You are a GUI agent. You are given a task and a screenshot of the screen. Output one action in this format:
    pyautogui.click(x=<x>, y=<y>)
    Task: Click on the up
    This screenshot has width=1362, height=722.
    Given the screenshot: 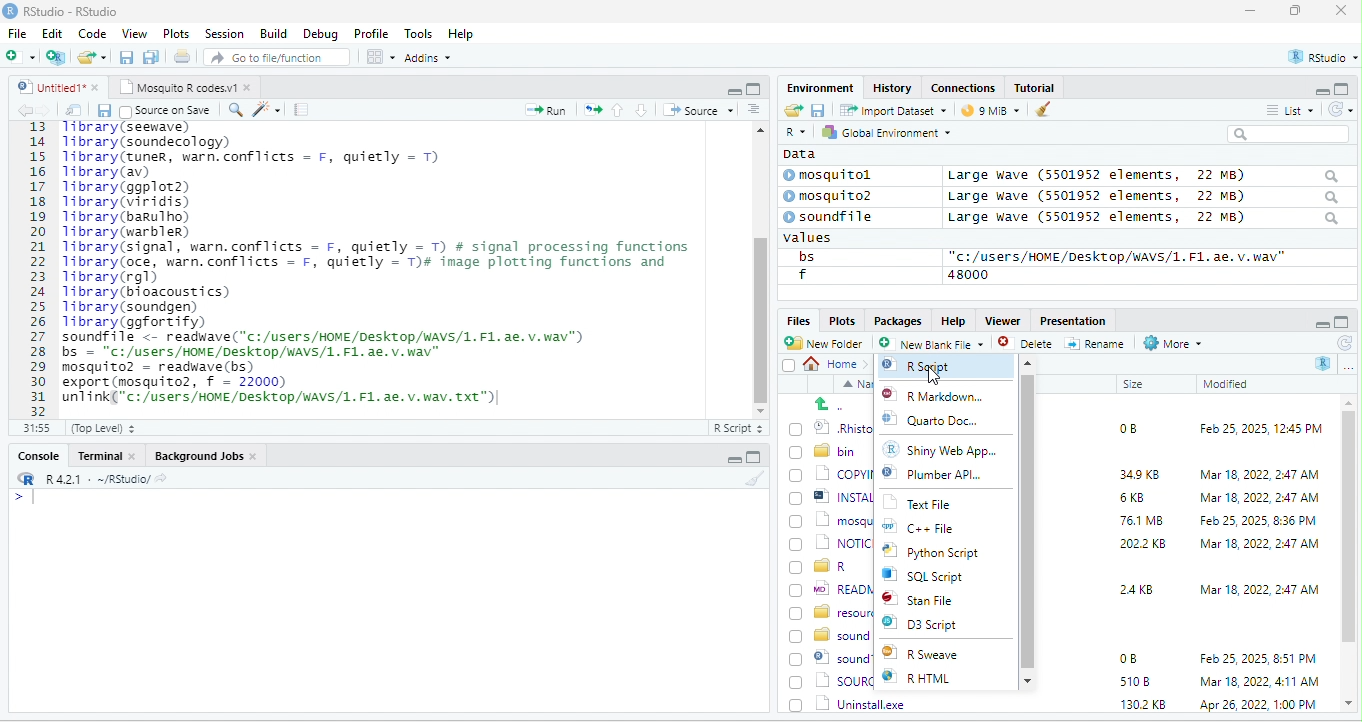 What is the action you would take?
    pyautogui.click(x=619, y=109)
    